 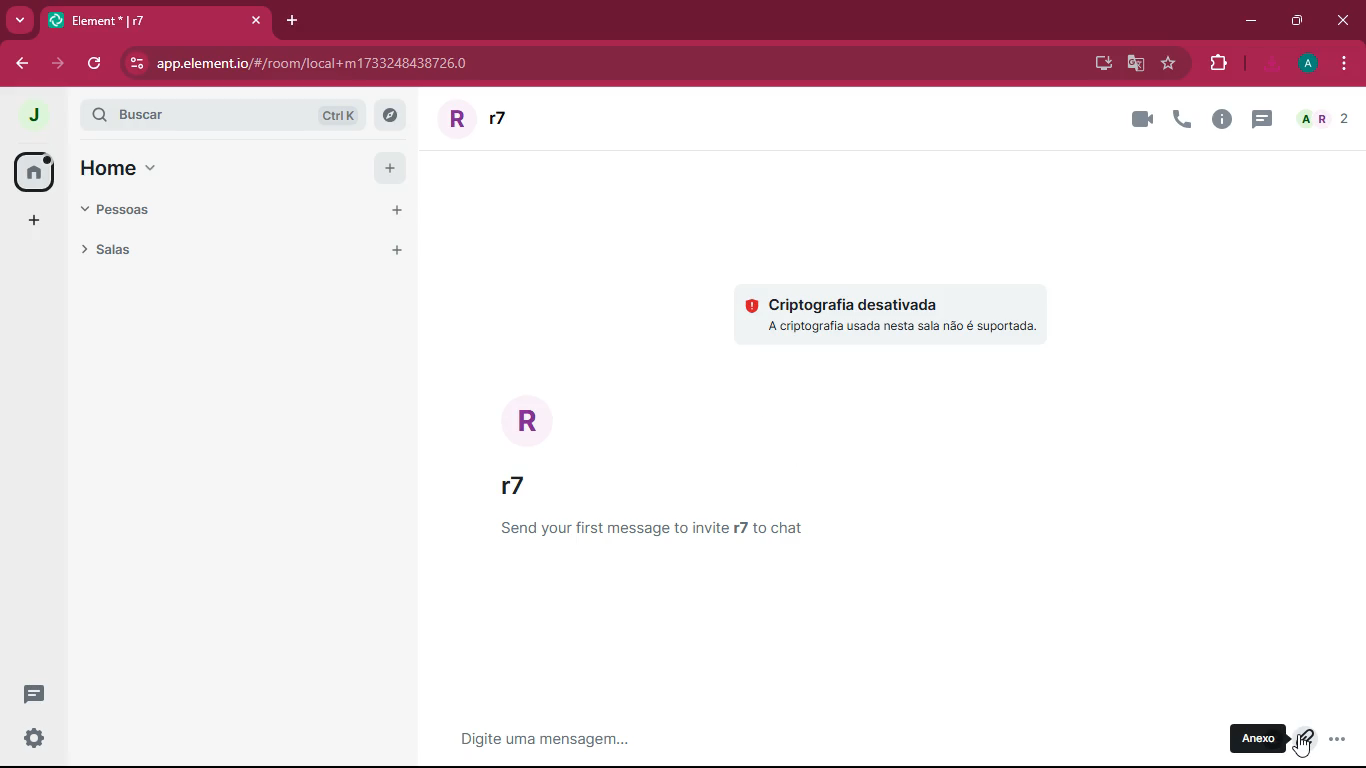 What do you see at coordinates (535, 420) in the screenshot?
I see `r` at bounding box center [535, 420].